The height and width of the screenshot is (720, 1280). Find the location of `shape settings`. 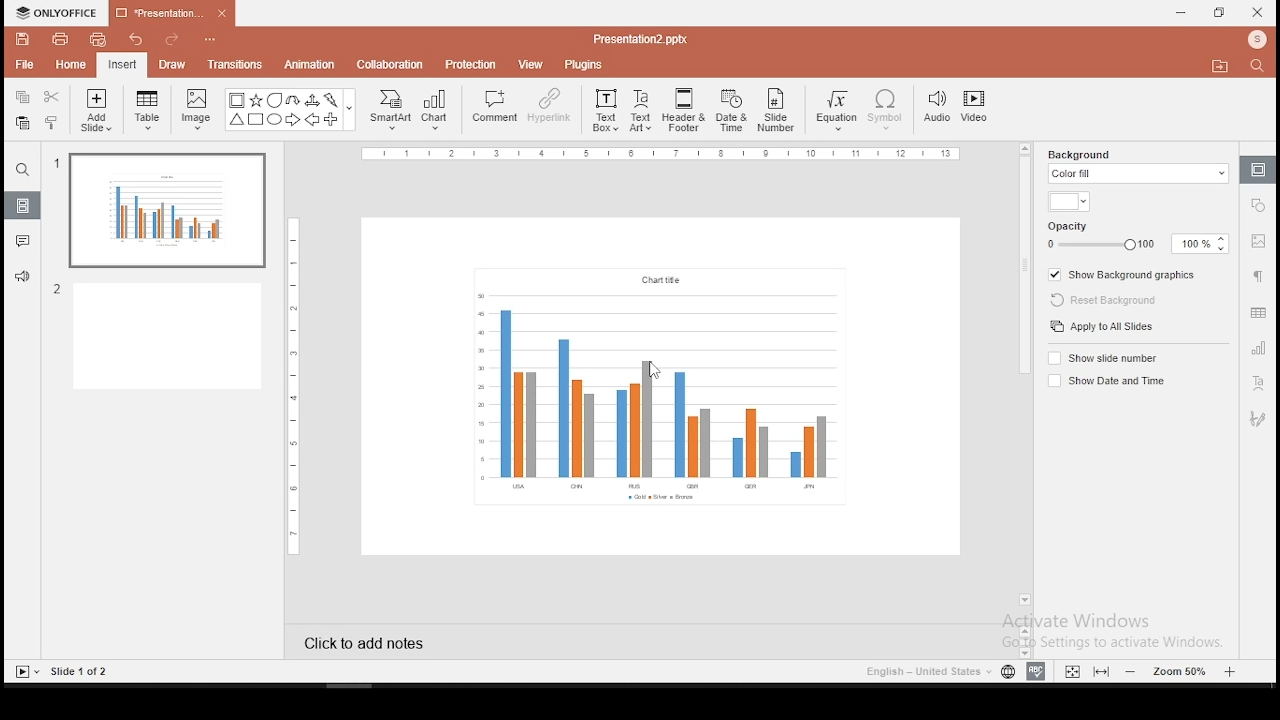

shape settings is located at coordinates (1257, 205).